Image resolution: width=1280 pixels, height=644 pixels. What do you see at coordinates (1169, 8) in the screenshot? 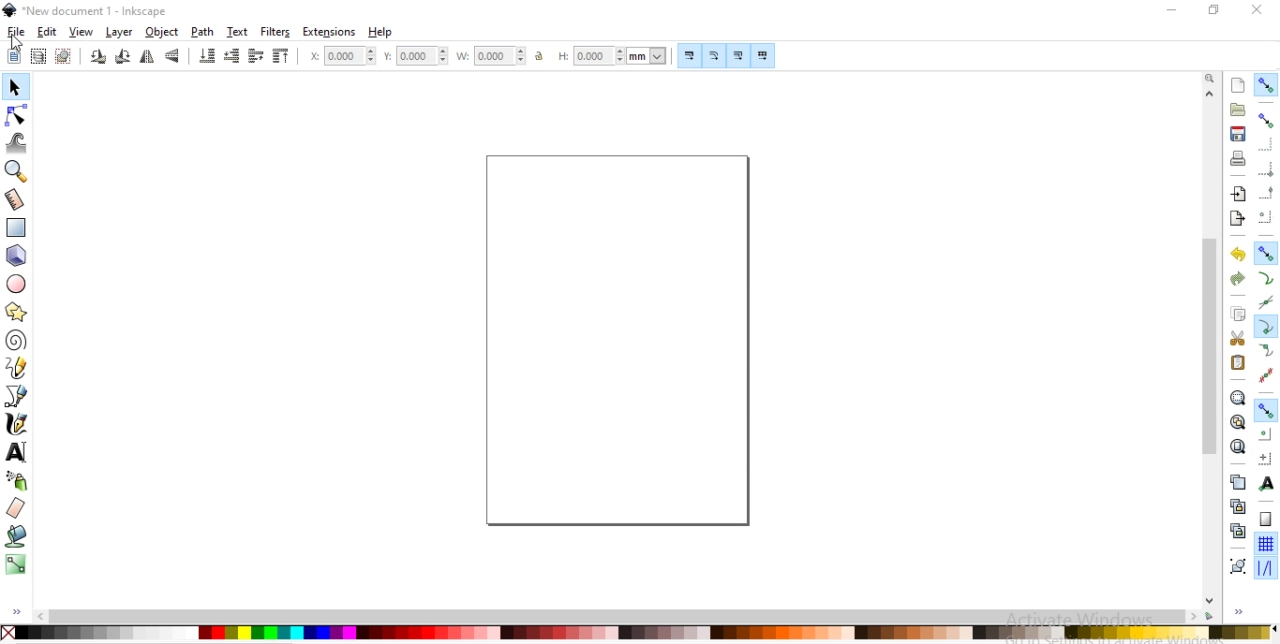
I see `minimize` at bounding box center [1169, 8].